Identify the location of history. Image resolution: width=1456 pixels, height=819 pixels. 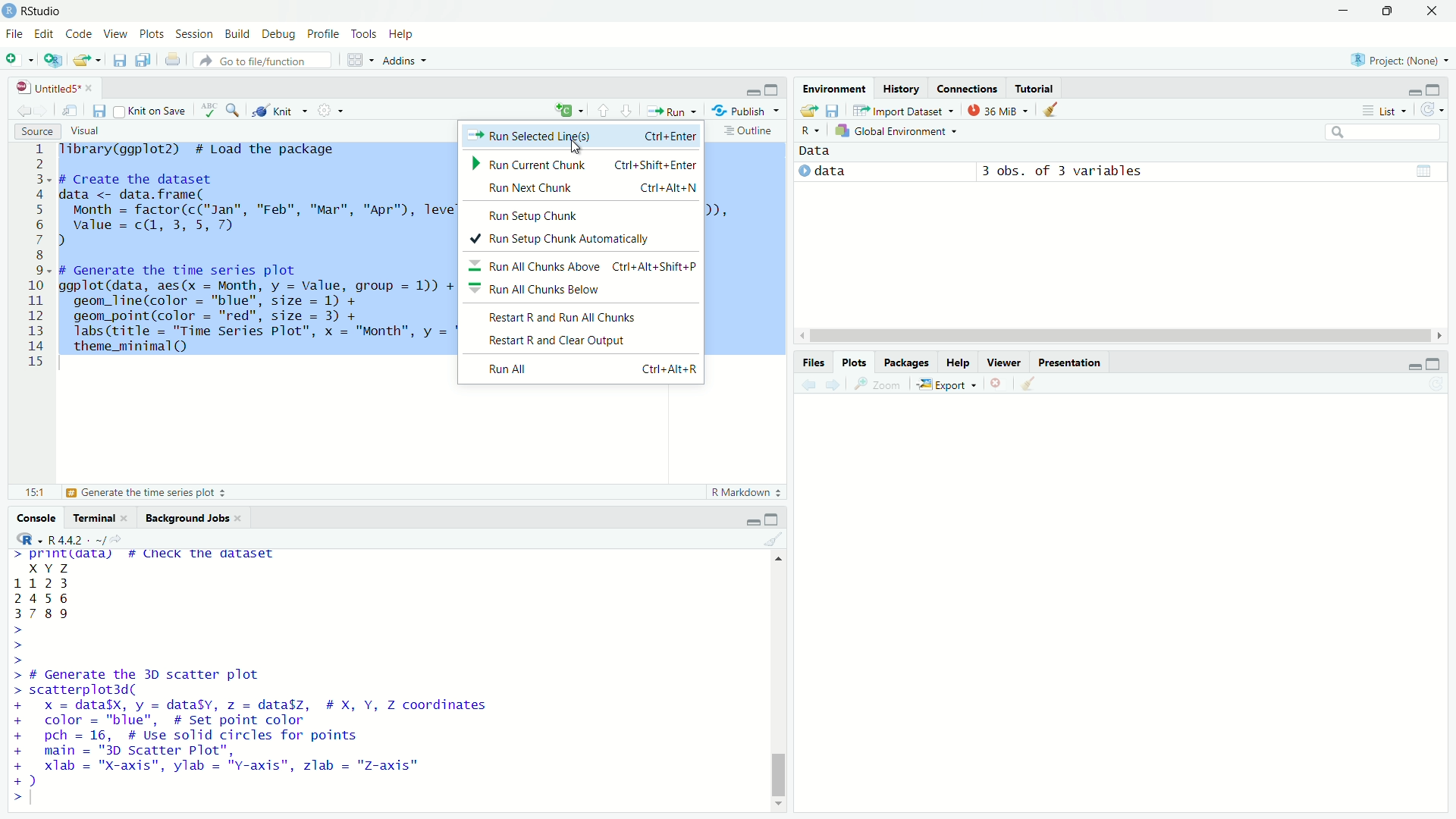
(900, 86).